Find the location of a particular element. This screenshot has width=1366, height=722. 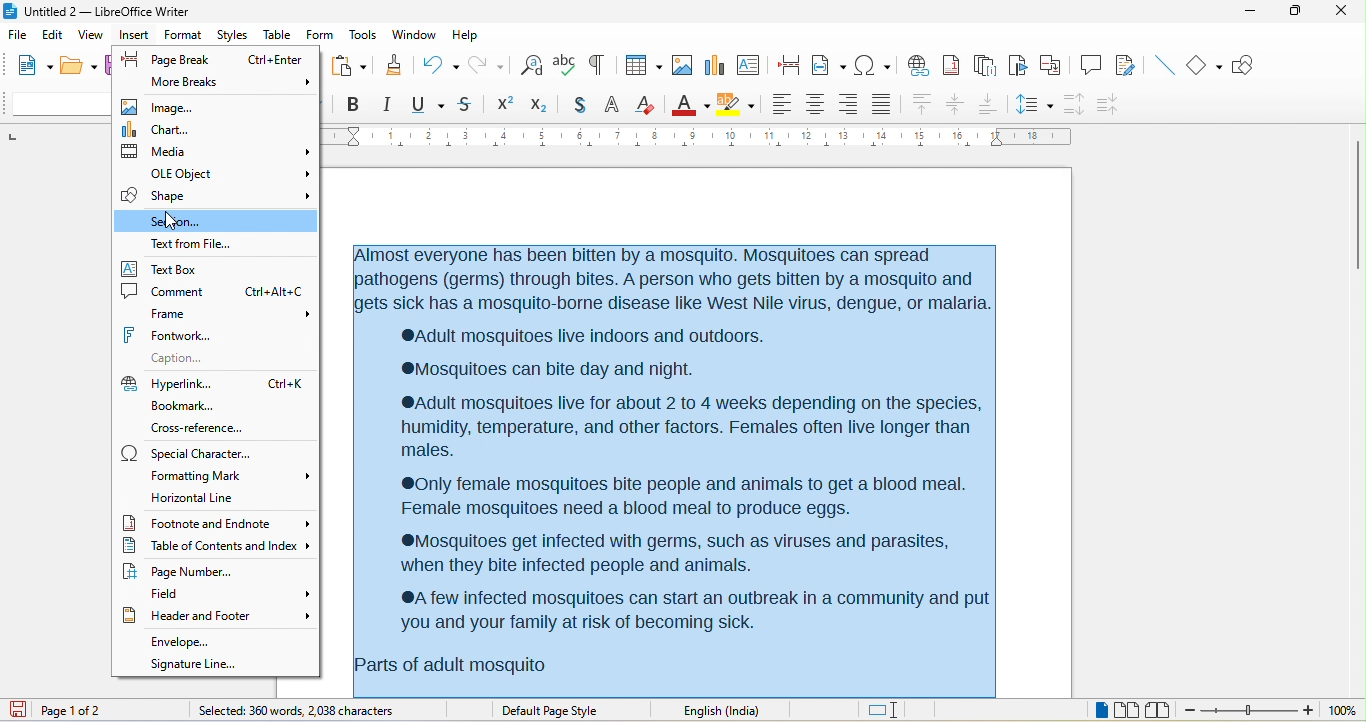

page 1 of 2 is located at coordinates (79, 710).